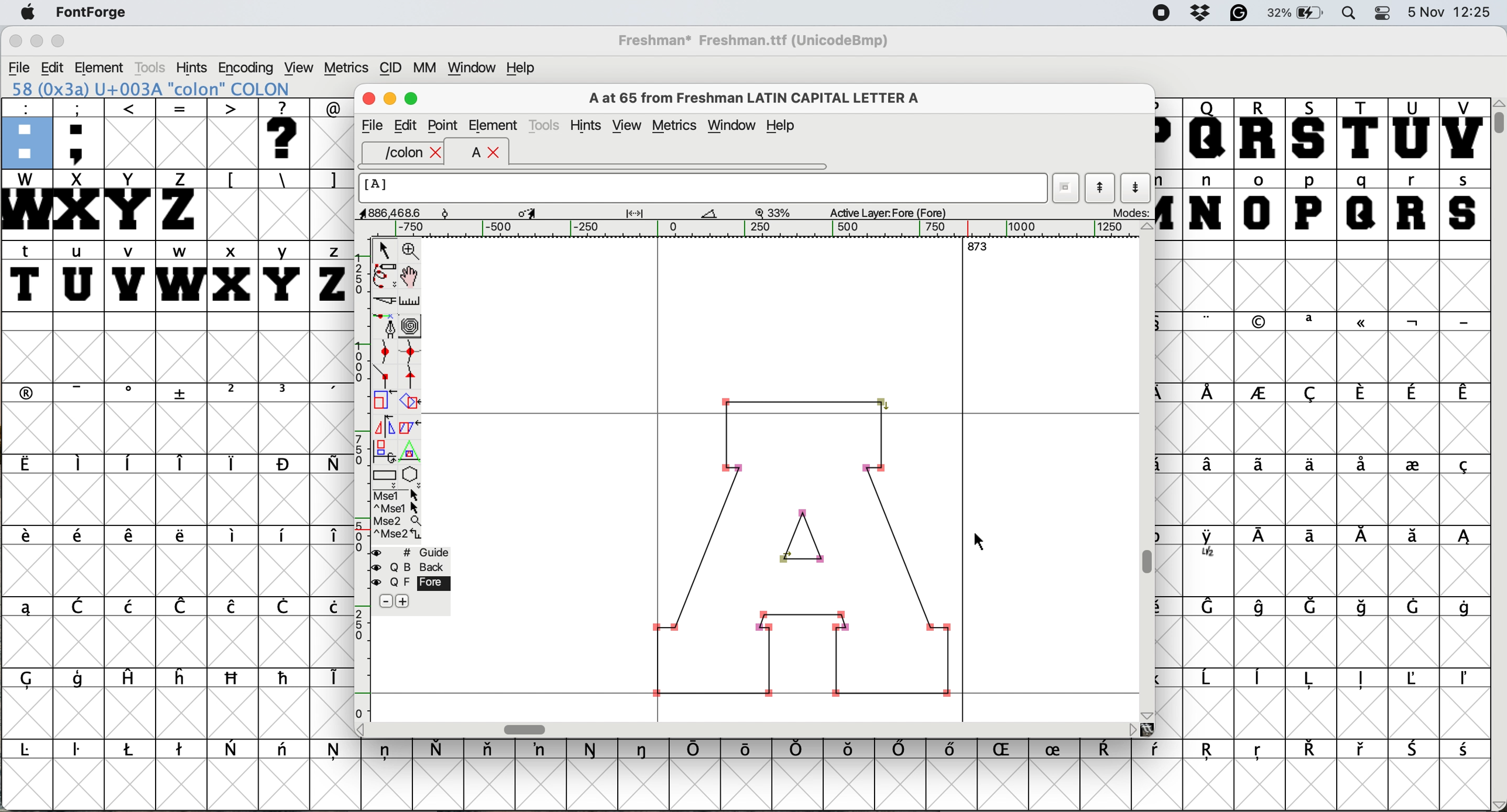 The width and height of the screenshot is (1507, 812). I want to click on <, so click(130, 133).